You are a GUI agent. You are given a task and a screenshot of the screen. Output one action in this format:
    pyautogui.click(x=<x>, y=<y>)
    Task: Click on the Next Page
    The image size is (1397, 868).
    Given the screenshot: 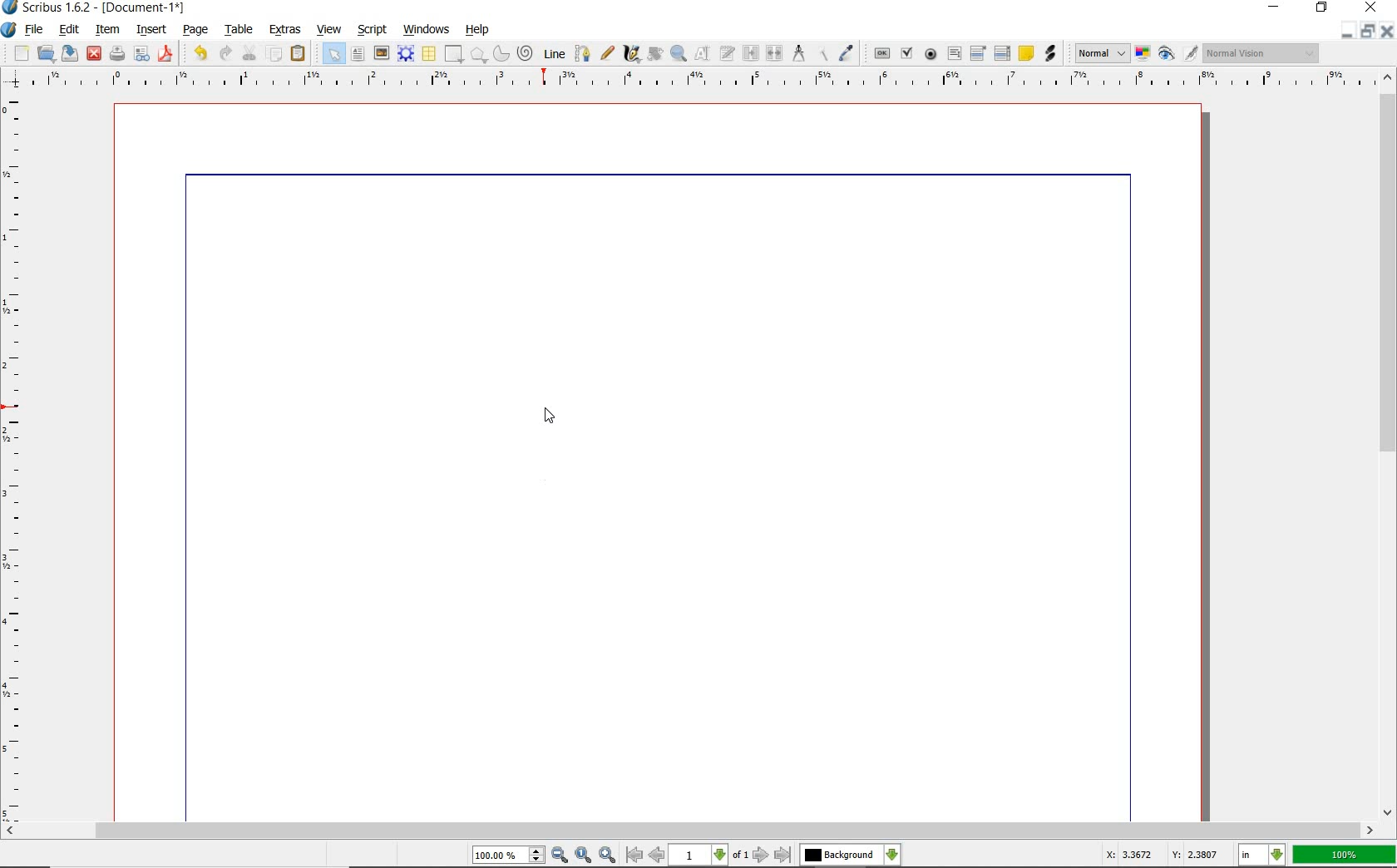 What is the action you would take?
    pyautogui.click(x=762, y=856)
    